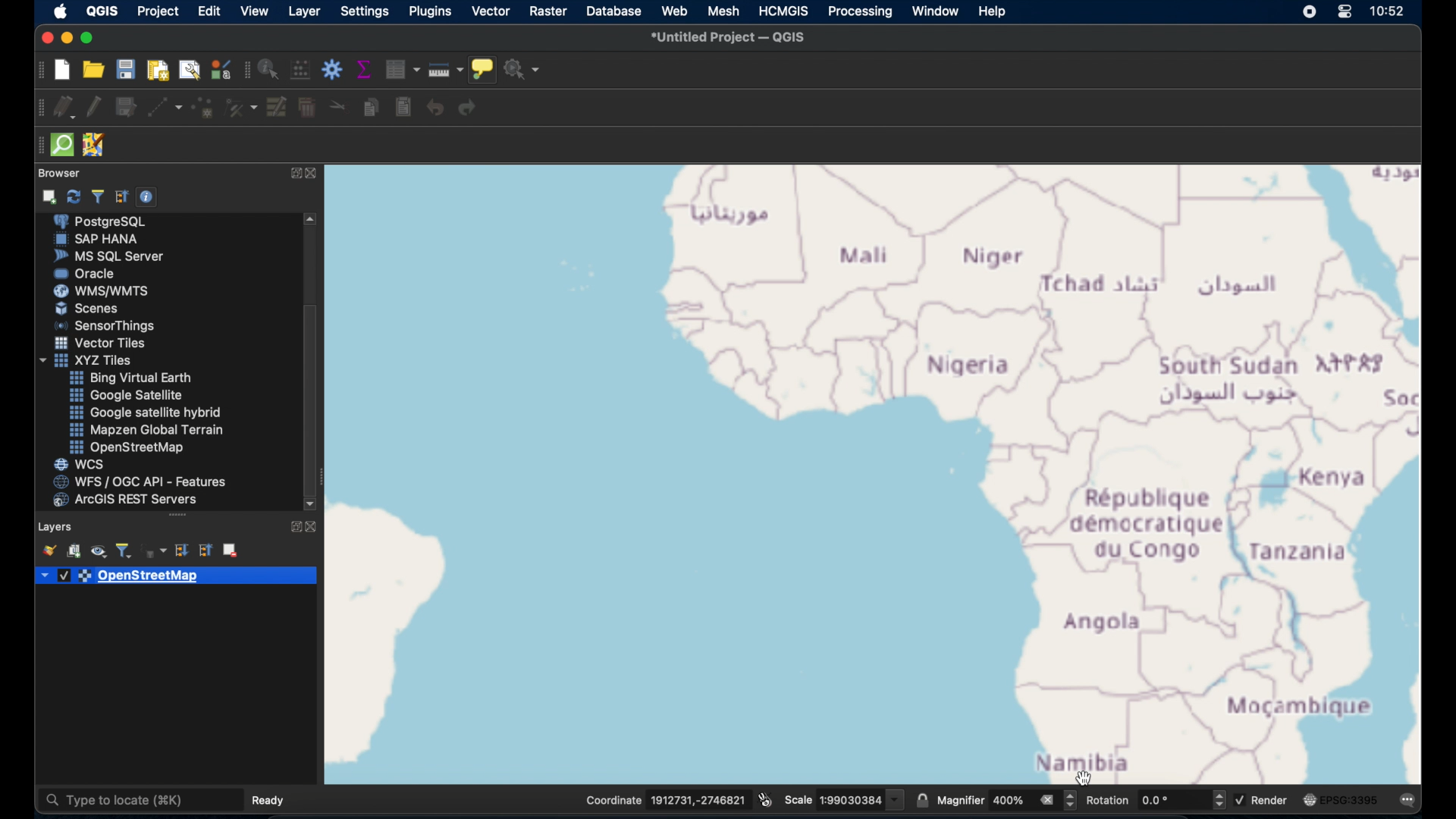 The image size is (1456, 819). What do you see at coordinates (81, 463) in the screenshot?
I see `wcs` at bounding box center [81, 463].